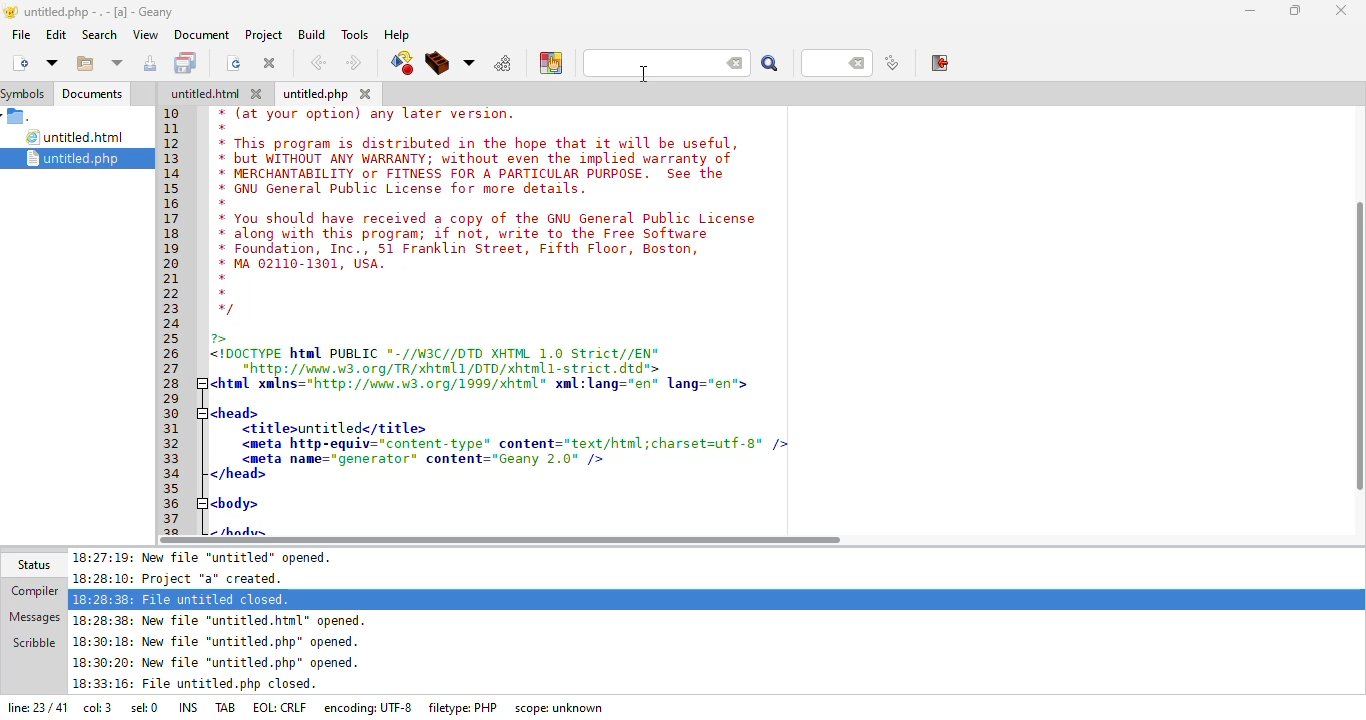  Describe the element at coordinates (489, 218) in the screenshot. I see `* You should have received a copy of the GNU General Public License` at that location.